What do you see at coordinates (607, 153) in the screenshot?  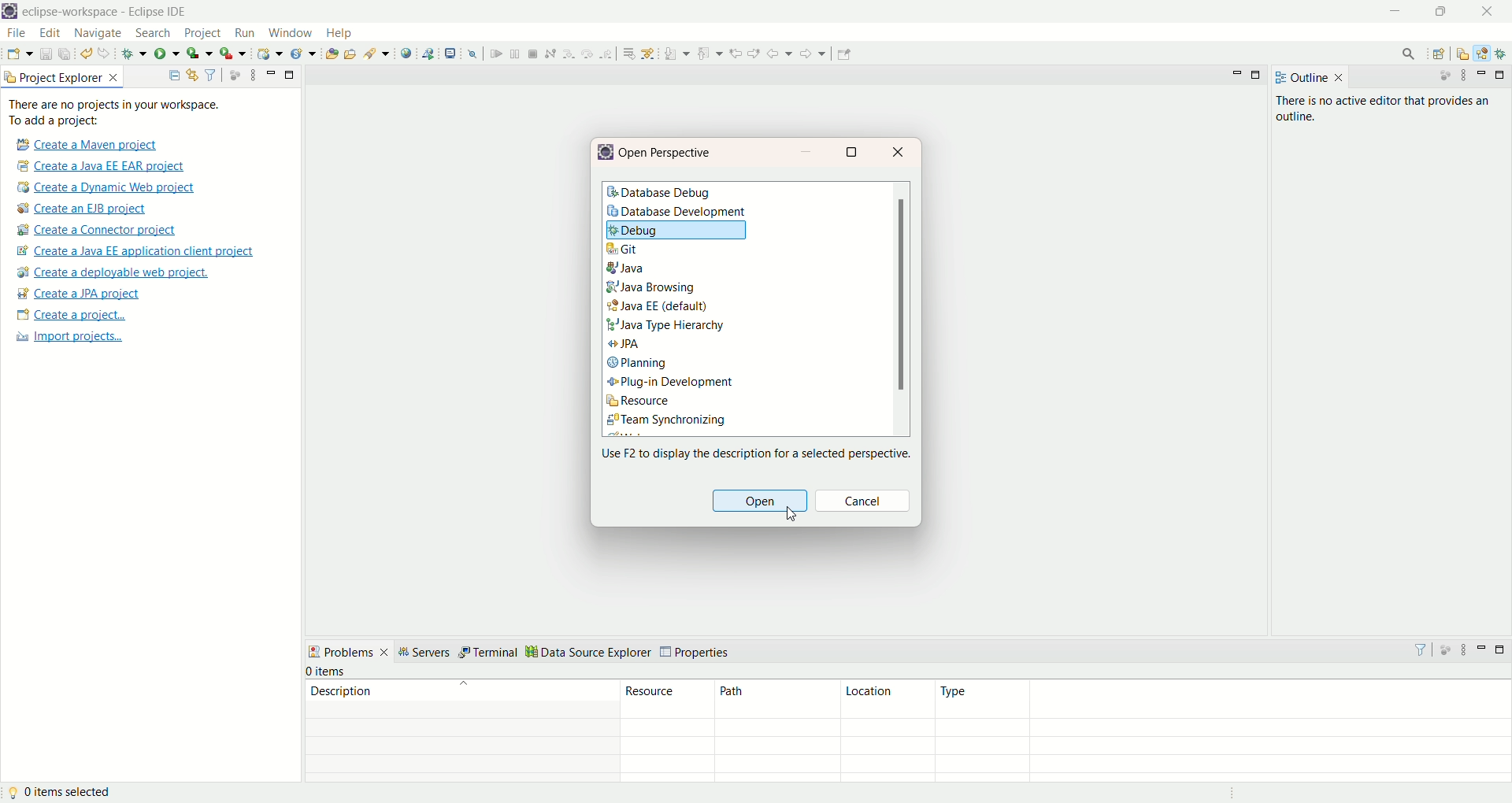 I see `logo` at bounding box center [607, 153].